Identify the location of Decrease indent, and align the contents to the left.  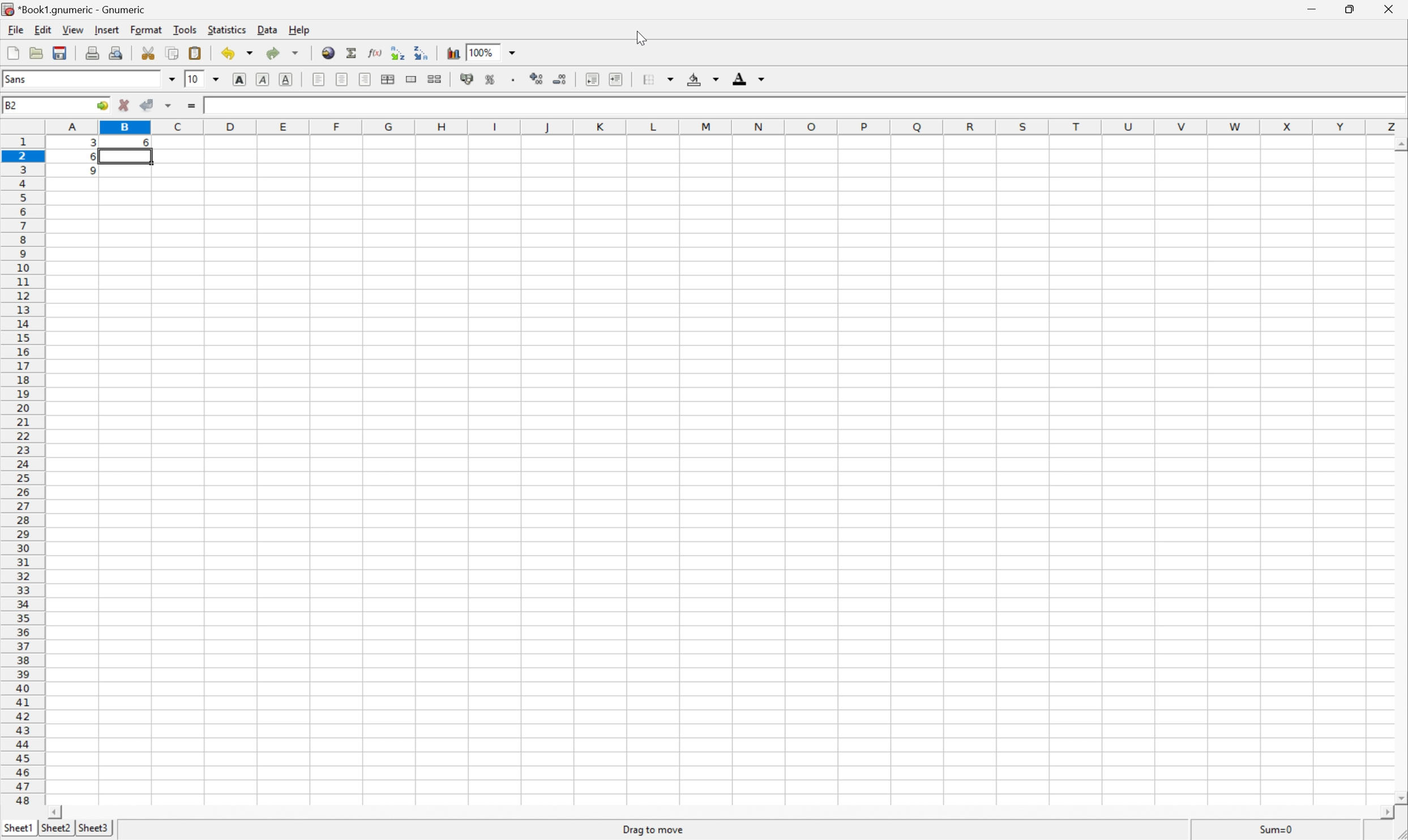
(592, 78).